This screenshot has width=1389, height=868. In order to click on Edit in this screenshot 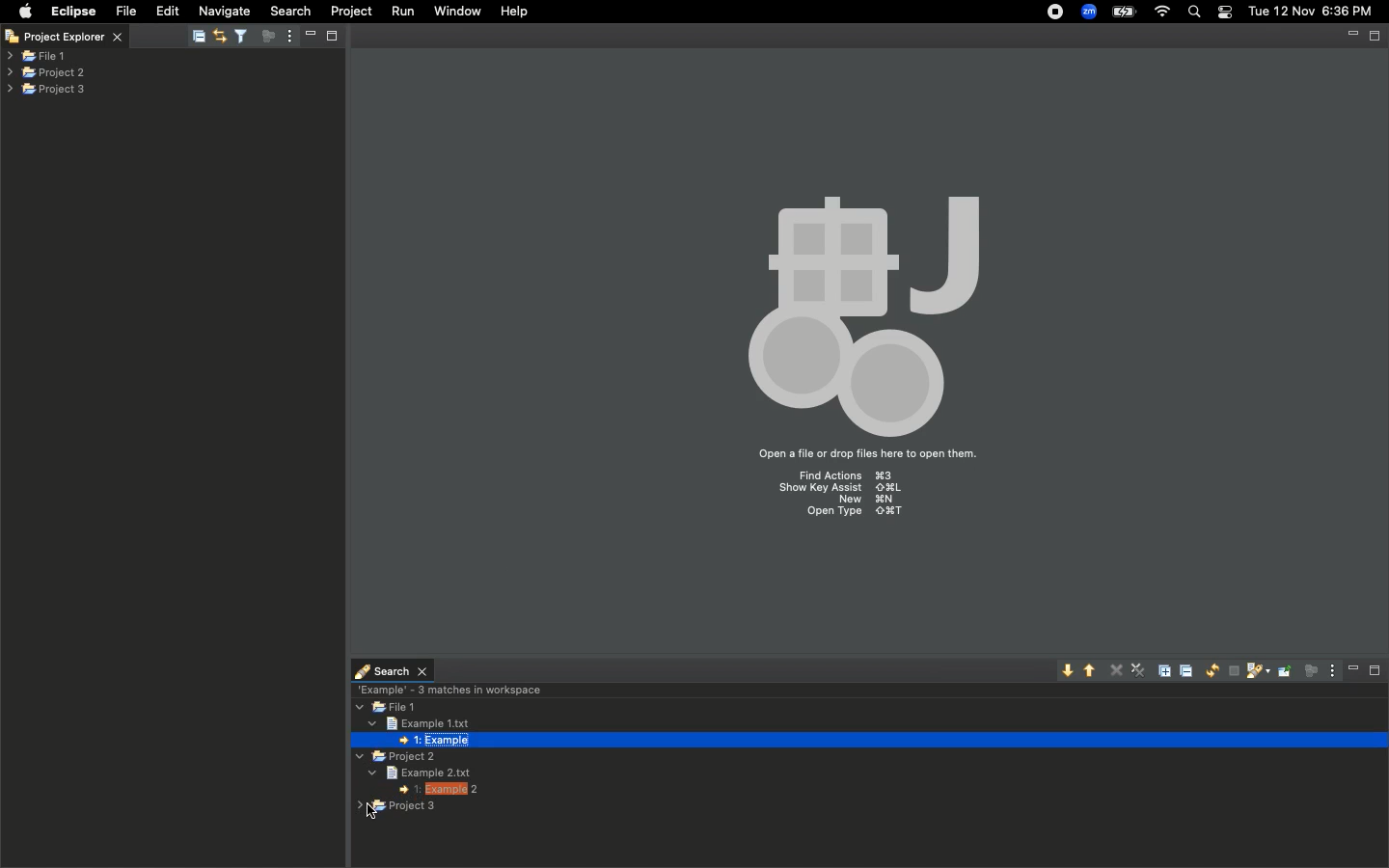, I will do `click(168, 12)`.